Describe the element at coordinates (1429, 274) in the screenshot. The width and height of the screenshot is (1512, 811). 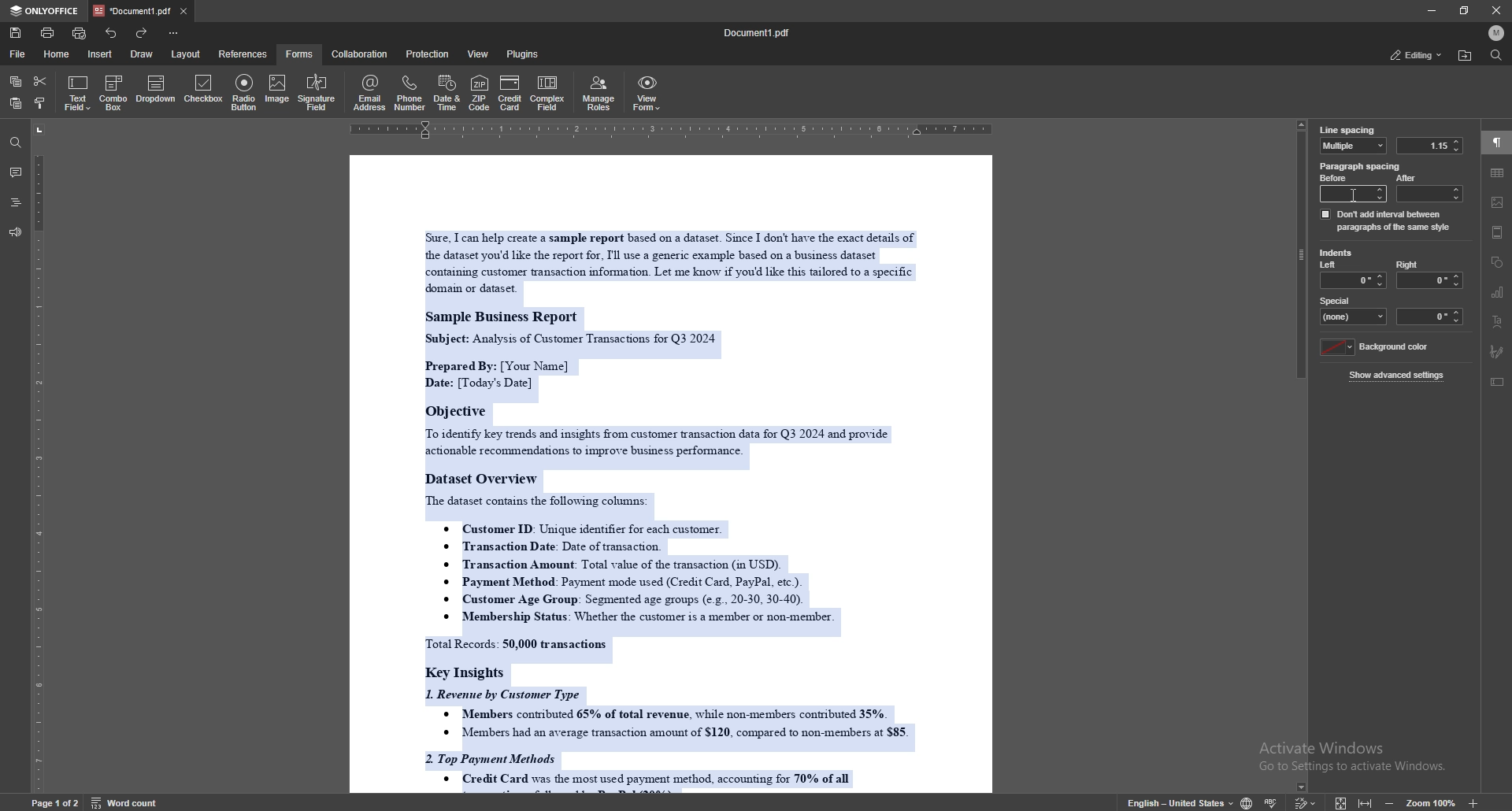
I see `right indent` at that location.